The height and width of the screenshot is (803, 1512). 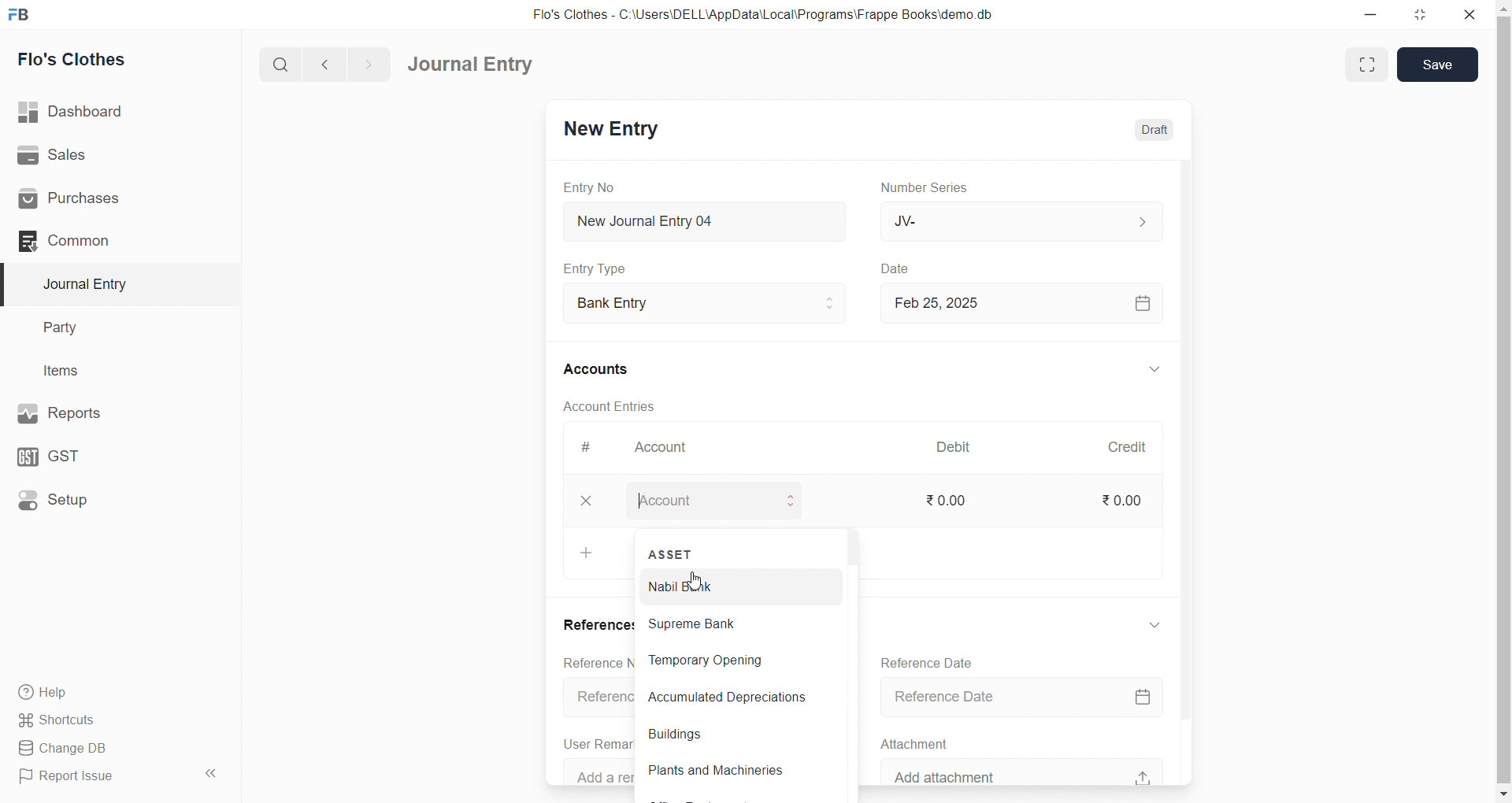 What do you see at coordinates (591, 661) in the screenshot?
I see `Reference Number` at bounding box center [591, 661].